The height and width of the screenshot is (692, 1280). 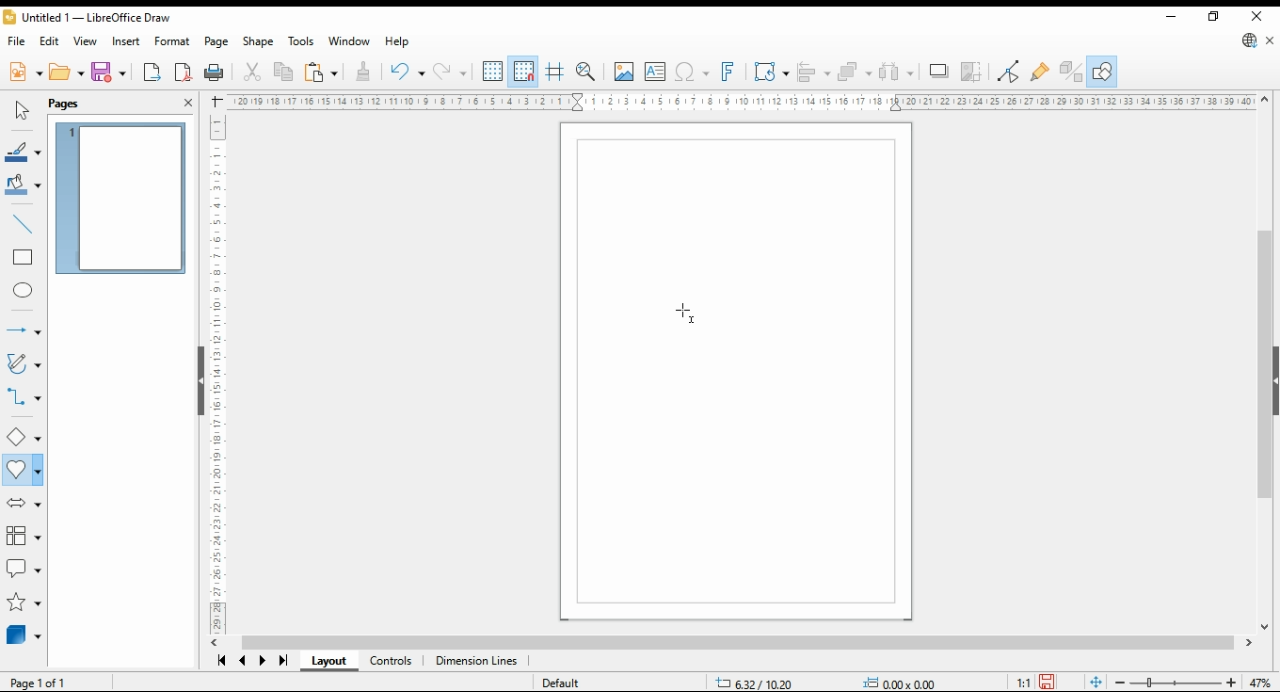 What do you see at coordinates (623, 72) in the screenshot?
I see `insert picture` at bounding box center [623, 72].